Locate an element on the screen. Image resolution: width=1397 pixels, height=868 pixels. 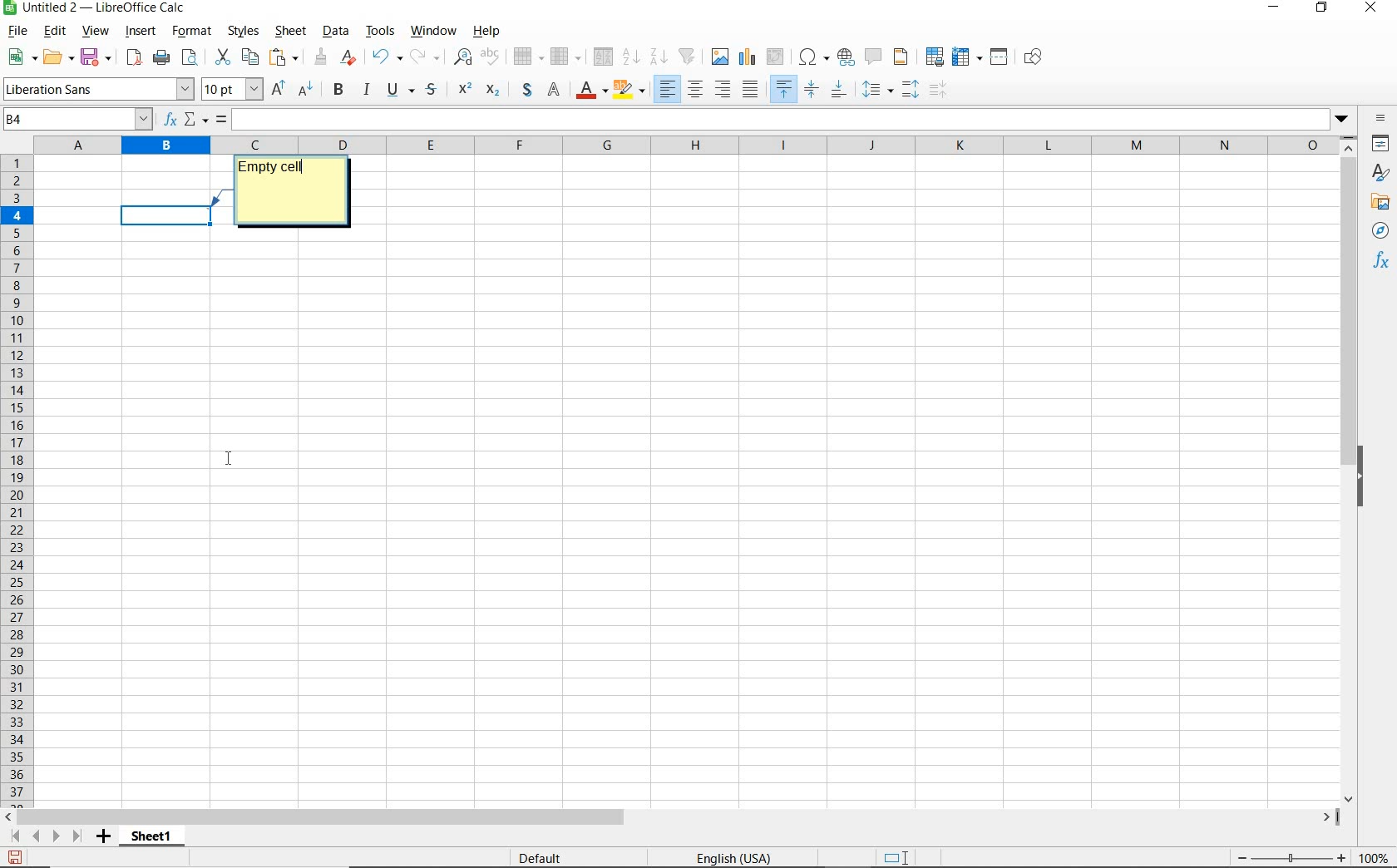
bold is located at coordinates (338, 90).